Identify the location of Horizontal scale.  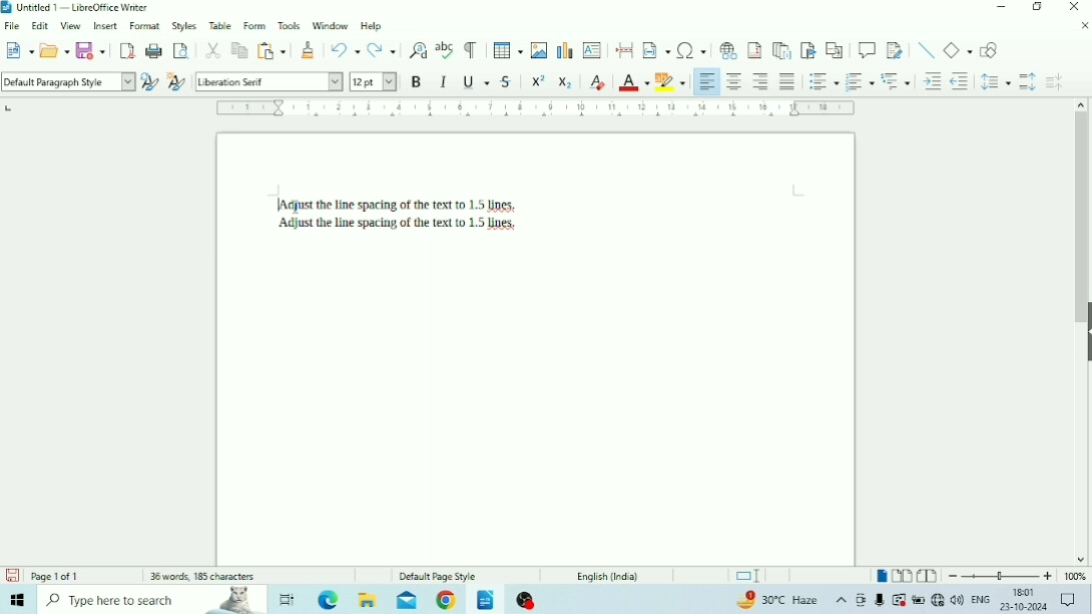
(535, 108).